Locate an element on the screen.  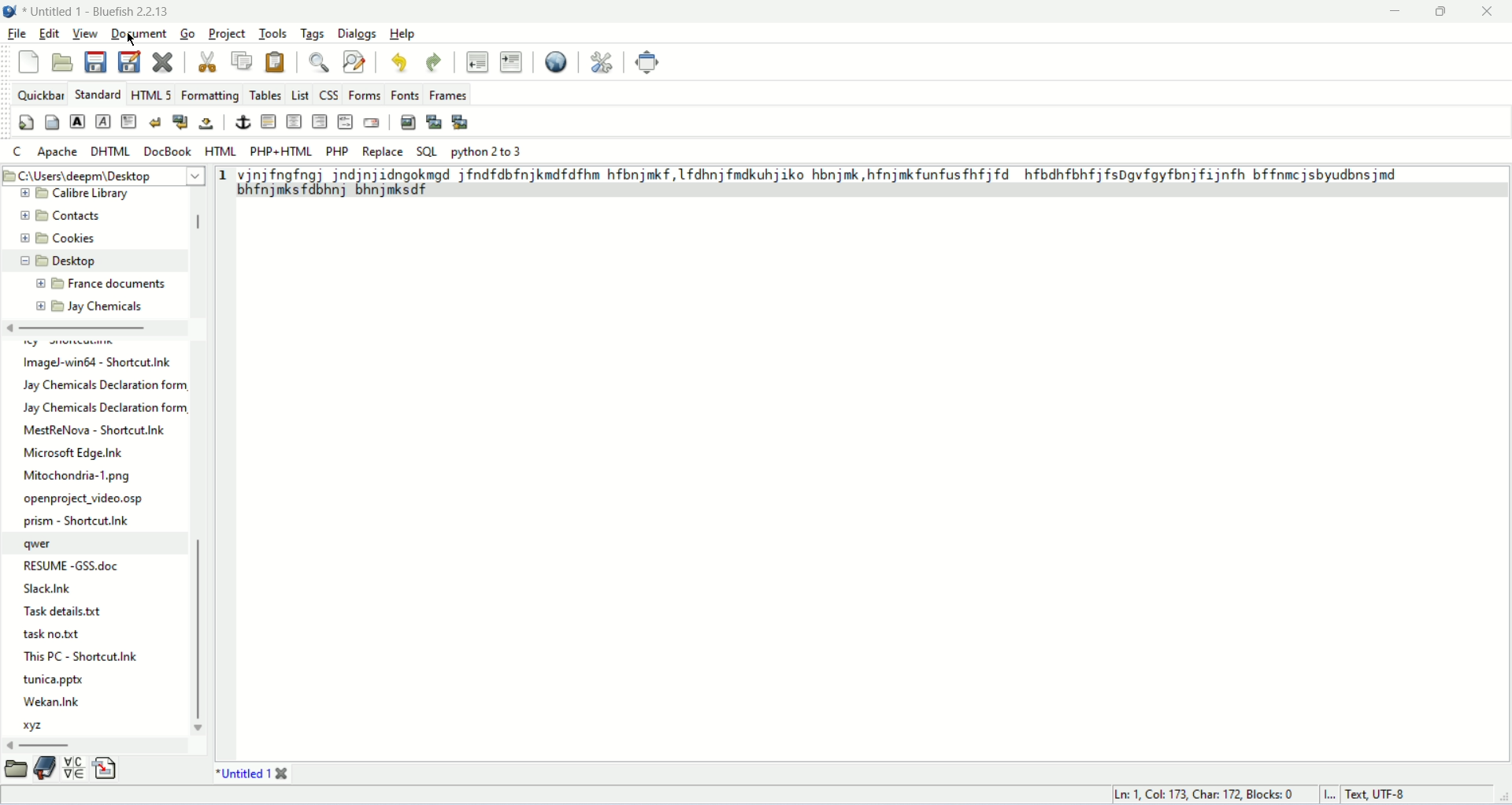
logo is located at coordinates (11, 14).